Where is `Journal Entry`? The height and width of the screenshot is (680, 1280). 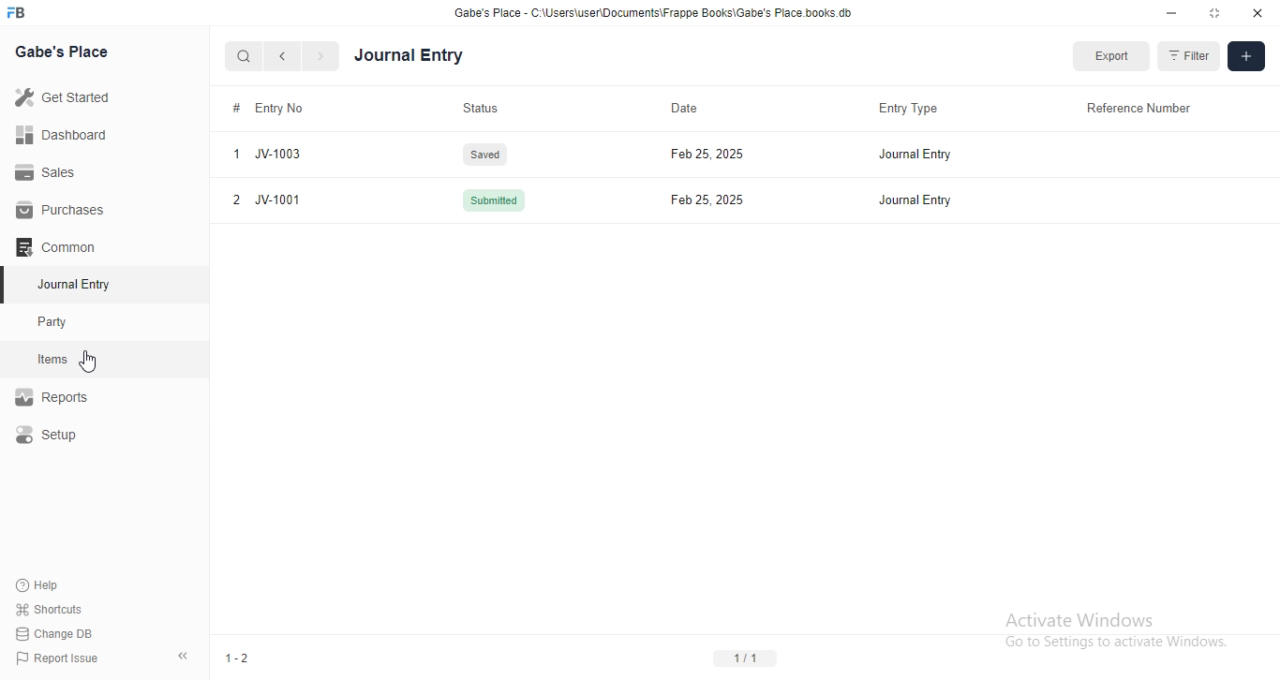 Journal Entry is located at coordinates (454, 56).